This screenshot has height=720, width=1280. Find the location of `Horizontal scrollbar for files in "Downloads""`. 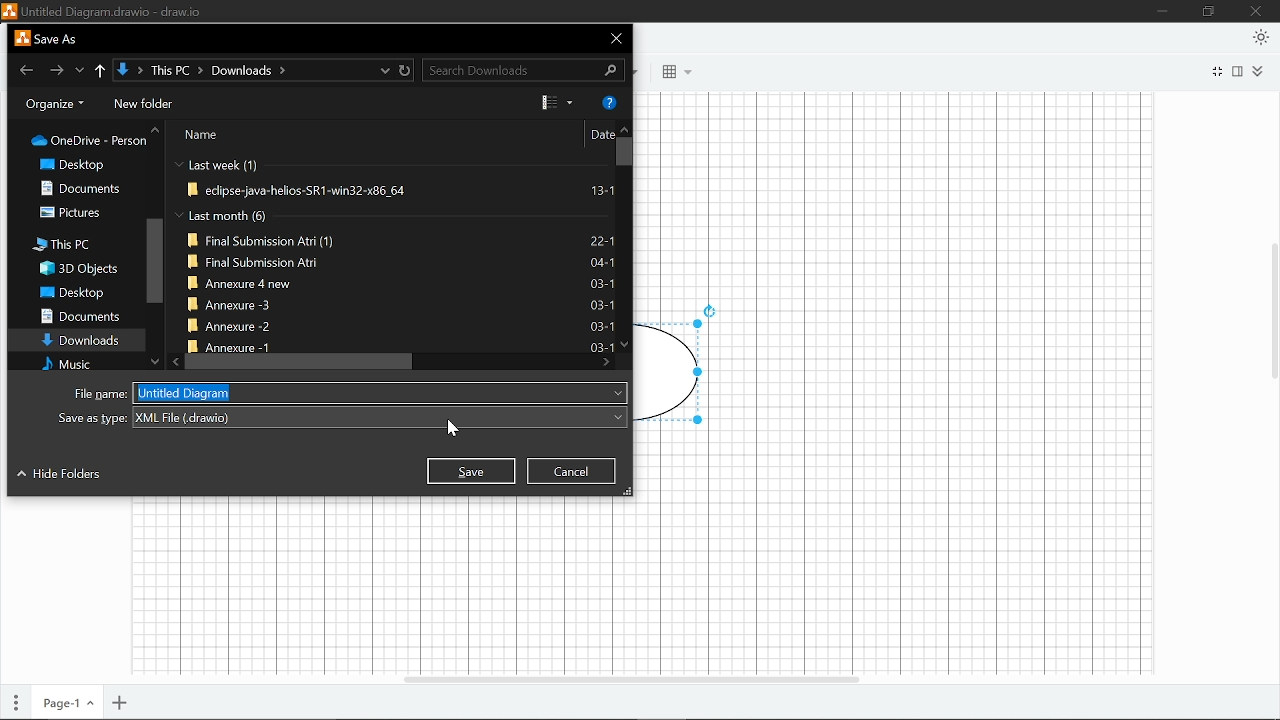

Horizontal scrollbar for files in "Downloads"" is located at coordinates (303, 361).